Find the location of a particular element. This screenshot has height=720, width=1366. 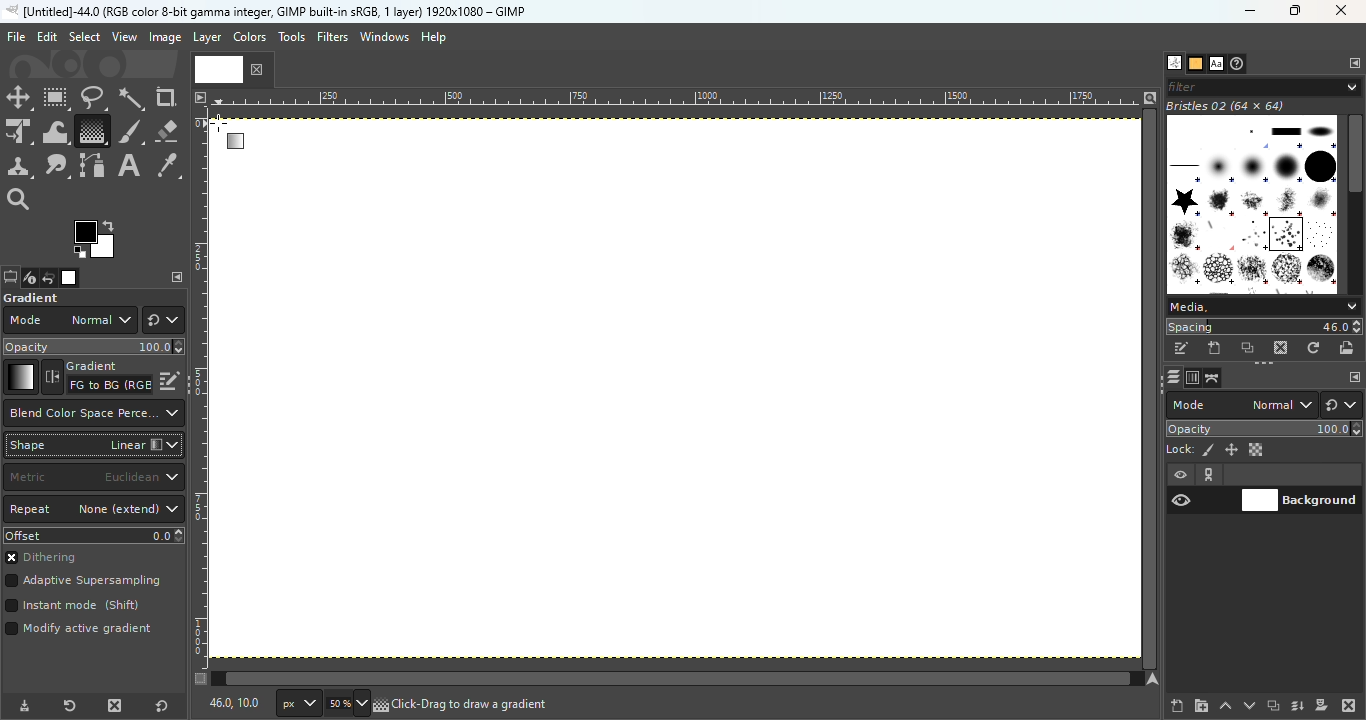

Zoom image when window size changes is located at coordinates (1150, 97).